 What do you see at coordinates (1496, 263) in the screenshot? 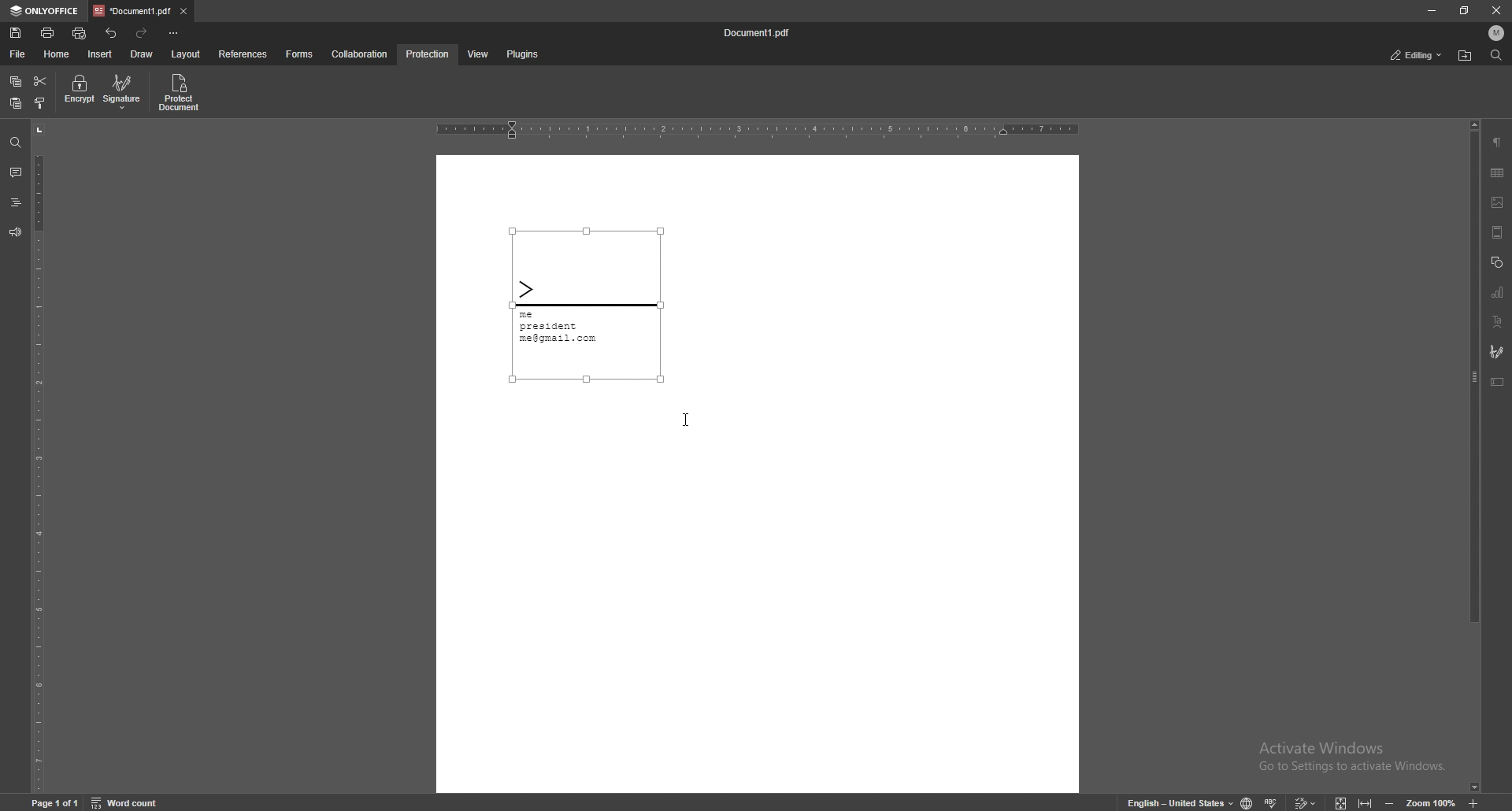
I see `shapes` at bounding box center [1496, 263].